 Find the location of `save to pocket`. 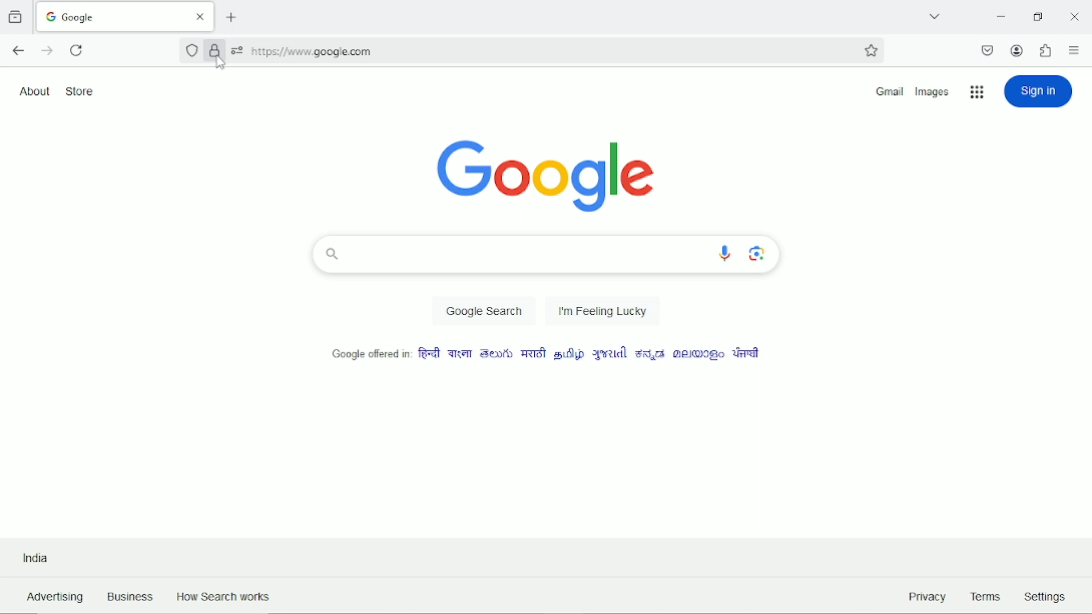

save to pocket is located at coordinates (988, 50).